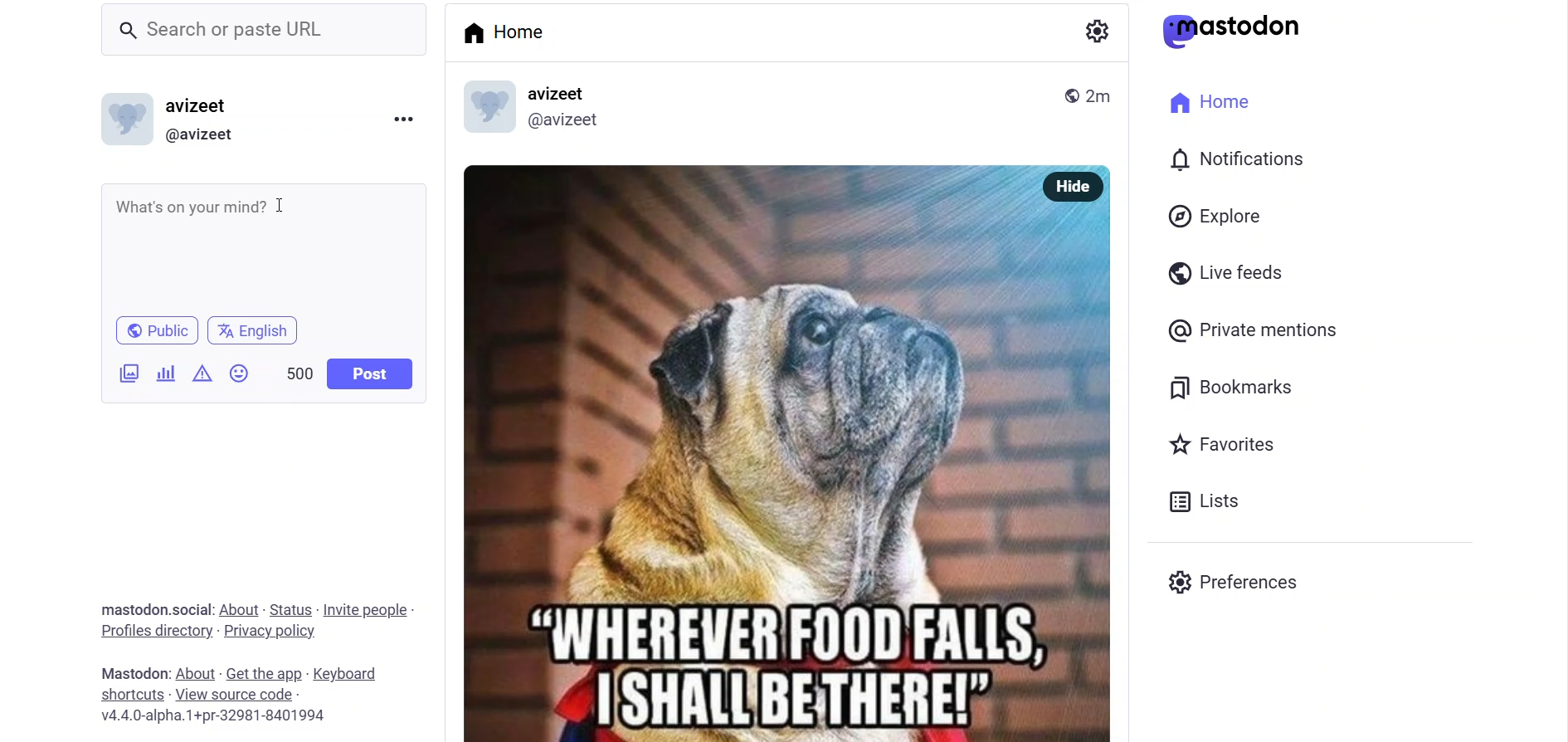 The image size is (1568, 742). Describe the element at coordinates (368, 373) in the screenshot. I see `post` at that location.